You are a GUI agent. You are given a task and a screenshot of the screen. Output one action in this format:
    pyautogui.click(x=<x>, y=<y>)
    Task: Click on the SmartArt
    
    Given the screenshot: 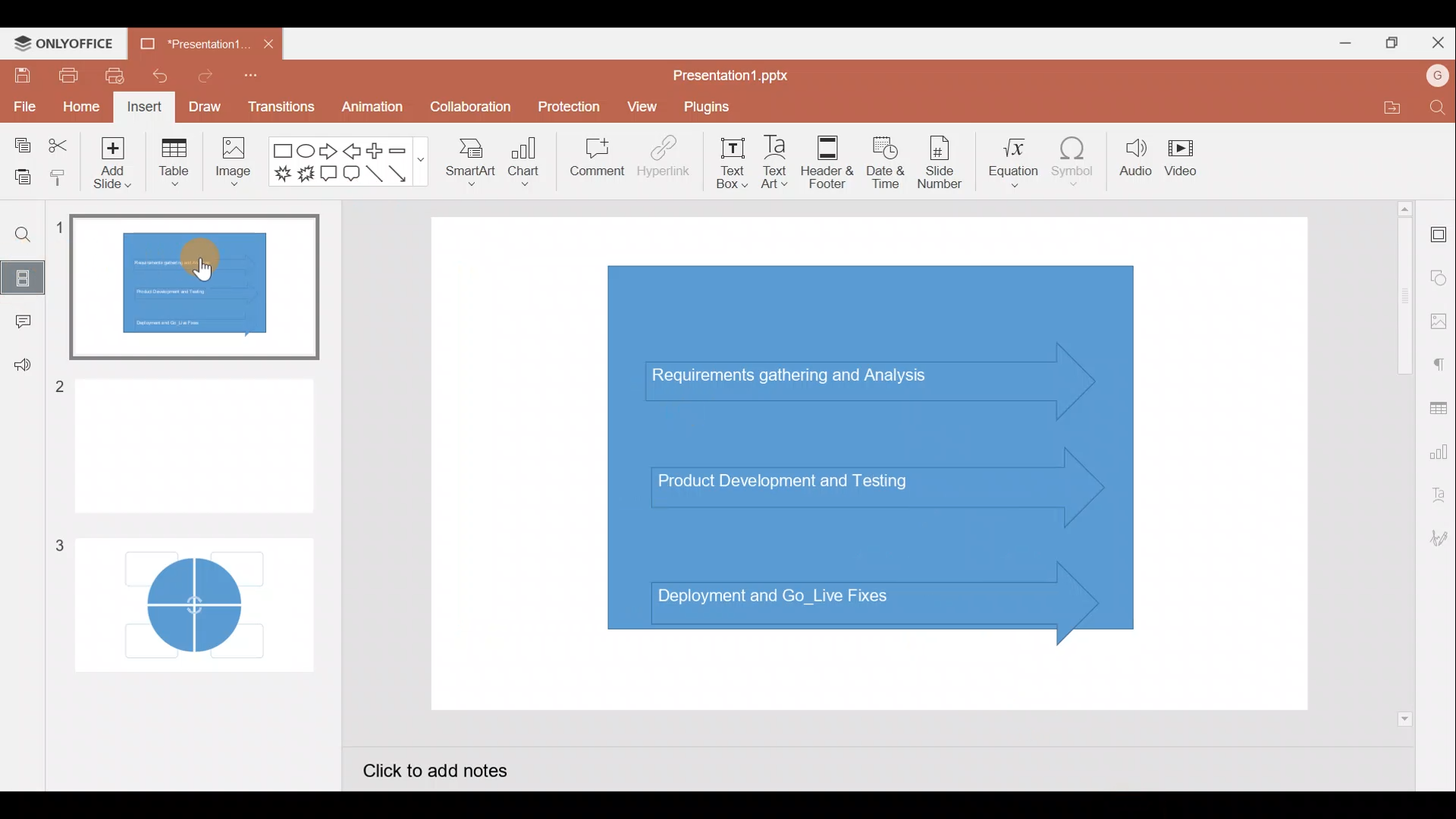 What is the action you would take?
    pyautogui.click(x=470, y=168)
    